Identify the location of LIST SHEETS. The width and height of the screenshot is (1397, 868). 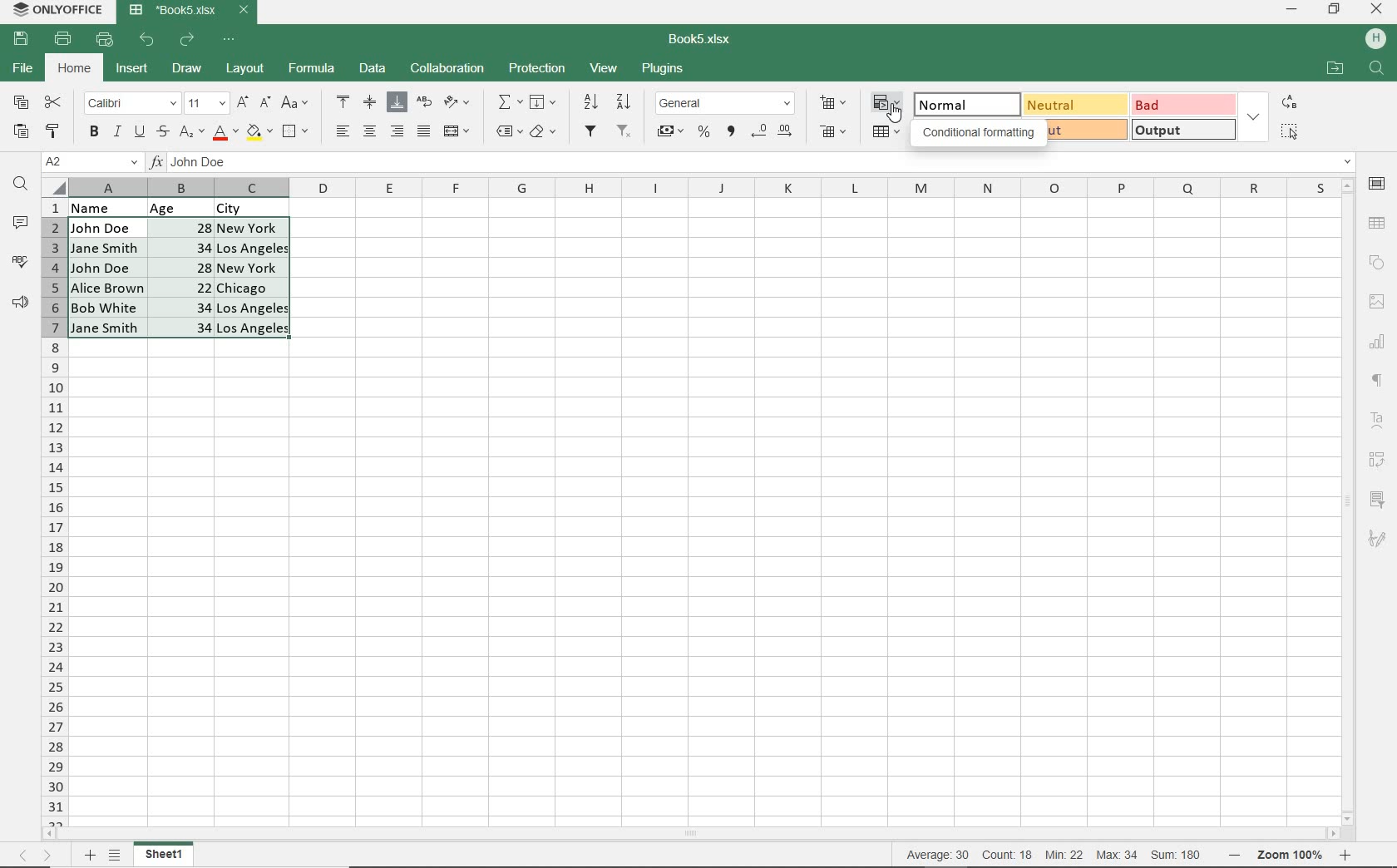
(118, 856).